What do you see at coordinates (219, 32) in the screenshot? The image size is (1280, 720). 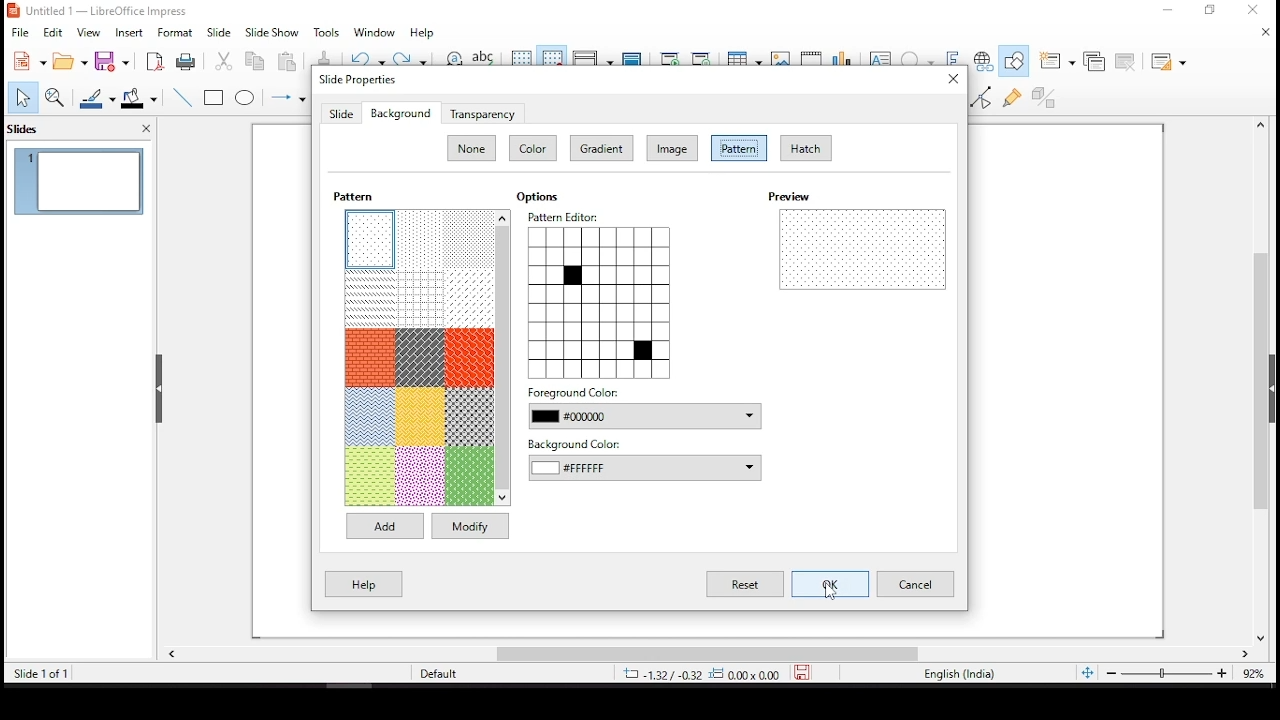 I see `slide` at bounding box center [219, 32].